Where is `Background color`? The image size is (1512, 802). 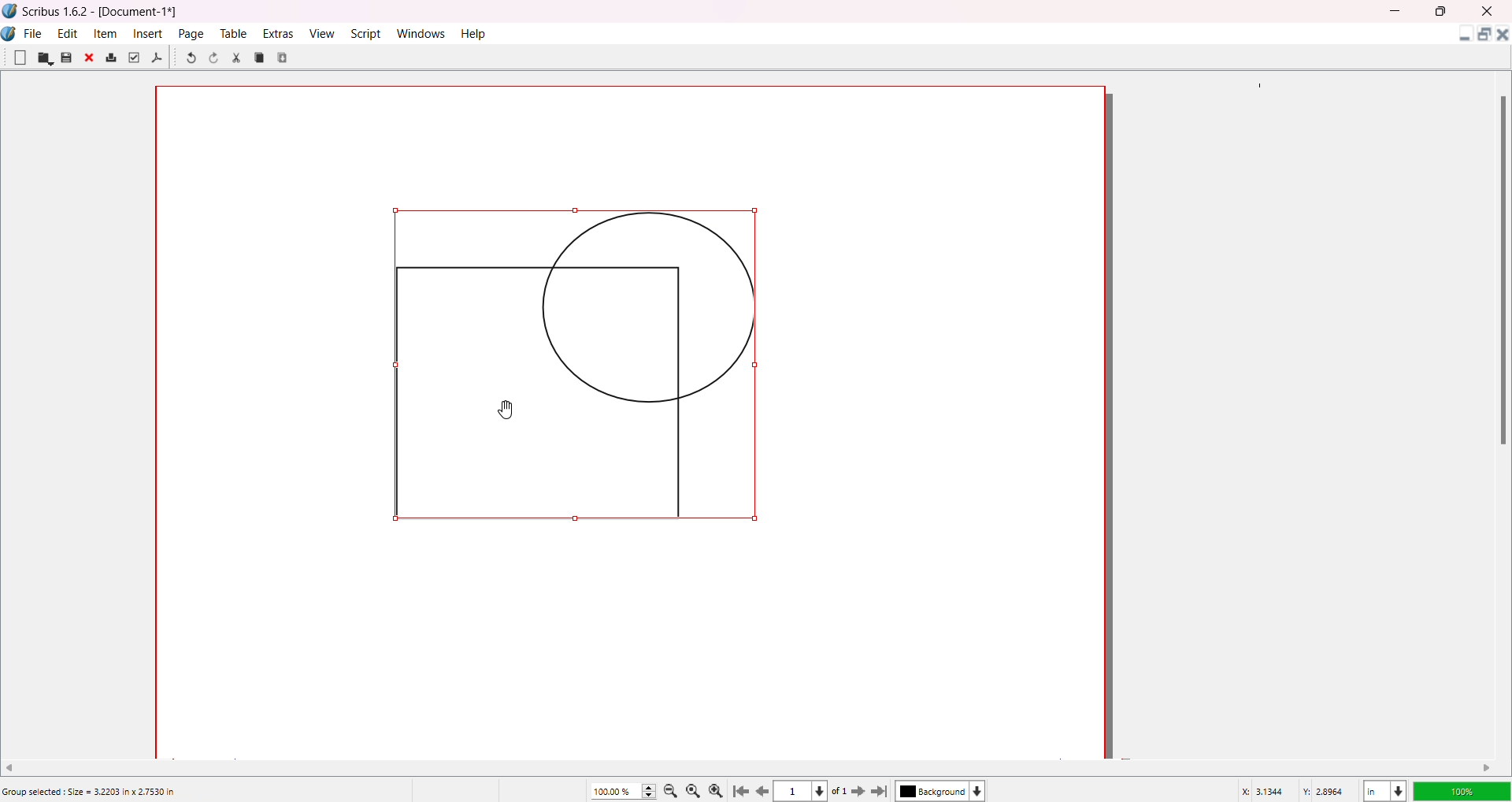 Background color is located at coordinates (944, 791).